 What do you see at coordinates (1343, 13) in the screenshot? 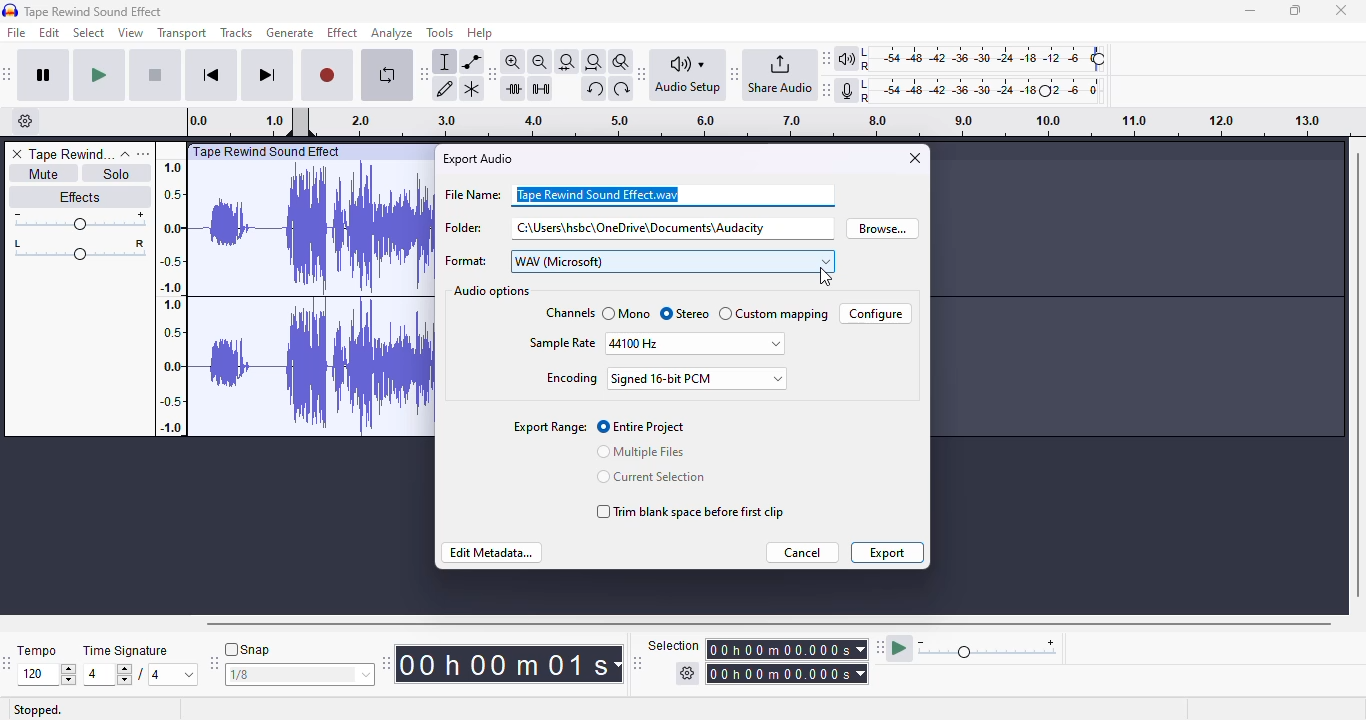
I see `Close` at bounding box center [1343, 13].